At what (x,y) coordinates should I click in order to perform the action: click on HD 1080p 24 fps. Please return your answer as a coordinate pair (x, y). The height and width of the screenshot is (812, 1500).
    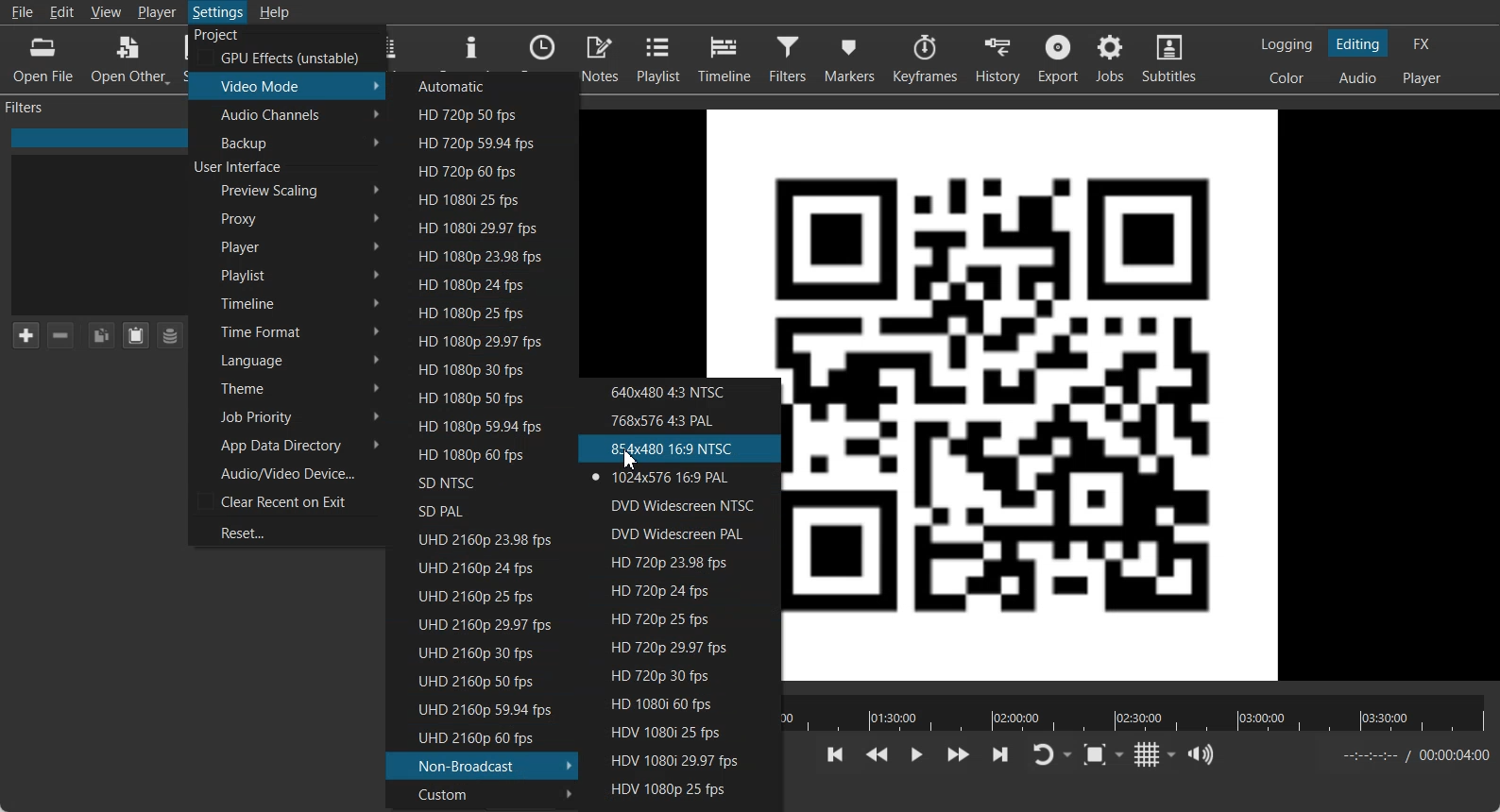
    Looking at the image, I should click on (478, 282).